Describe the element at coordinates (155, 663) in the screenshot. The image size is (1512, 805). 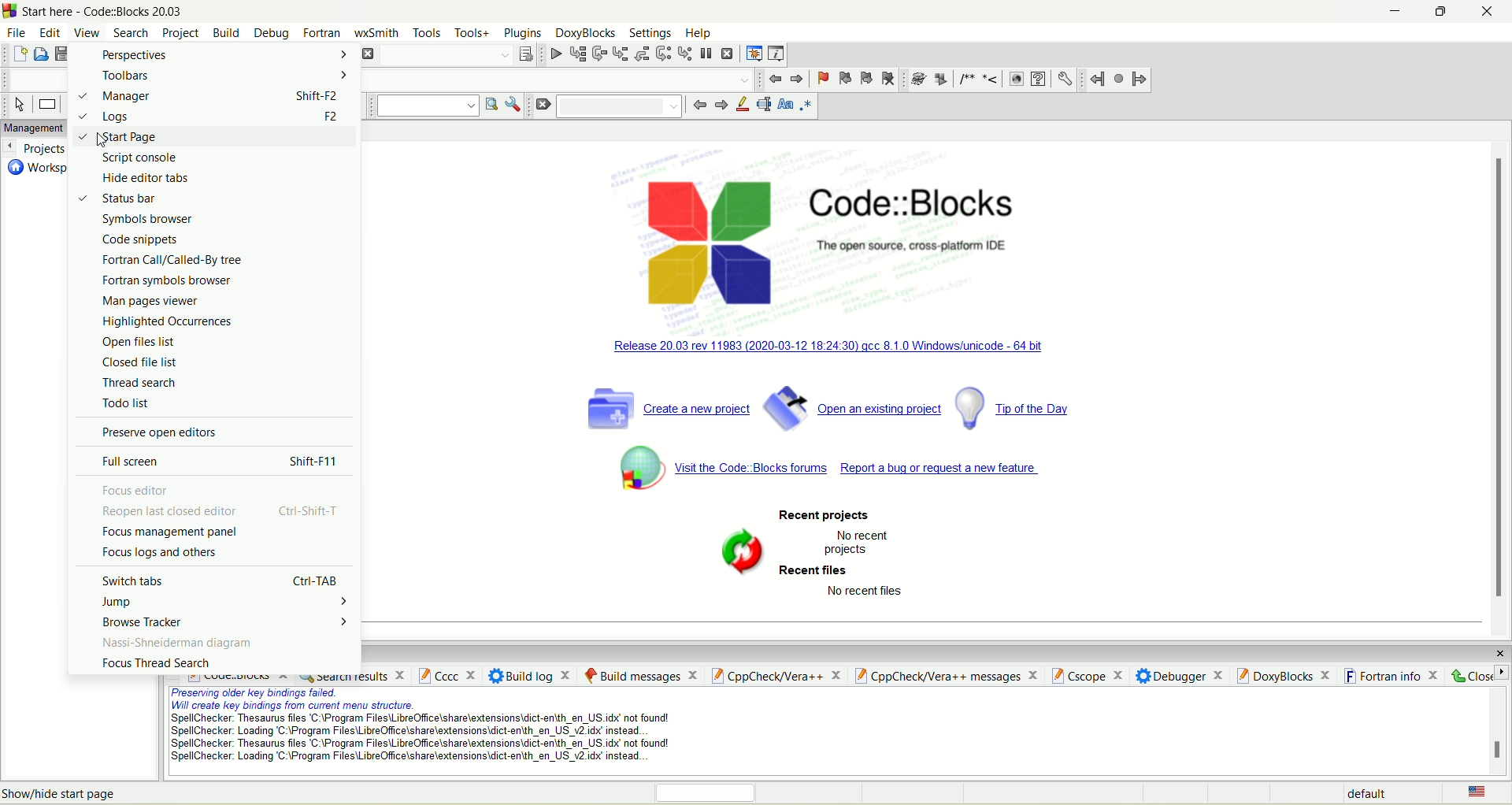
I see `focus thread search` at that location.